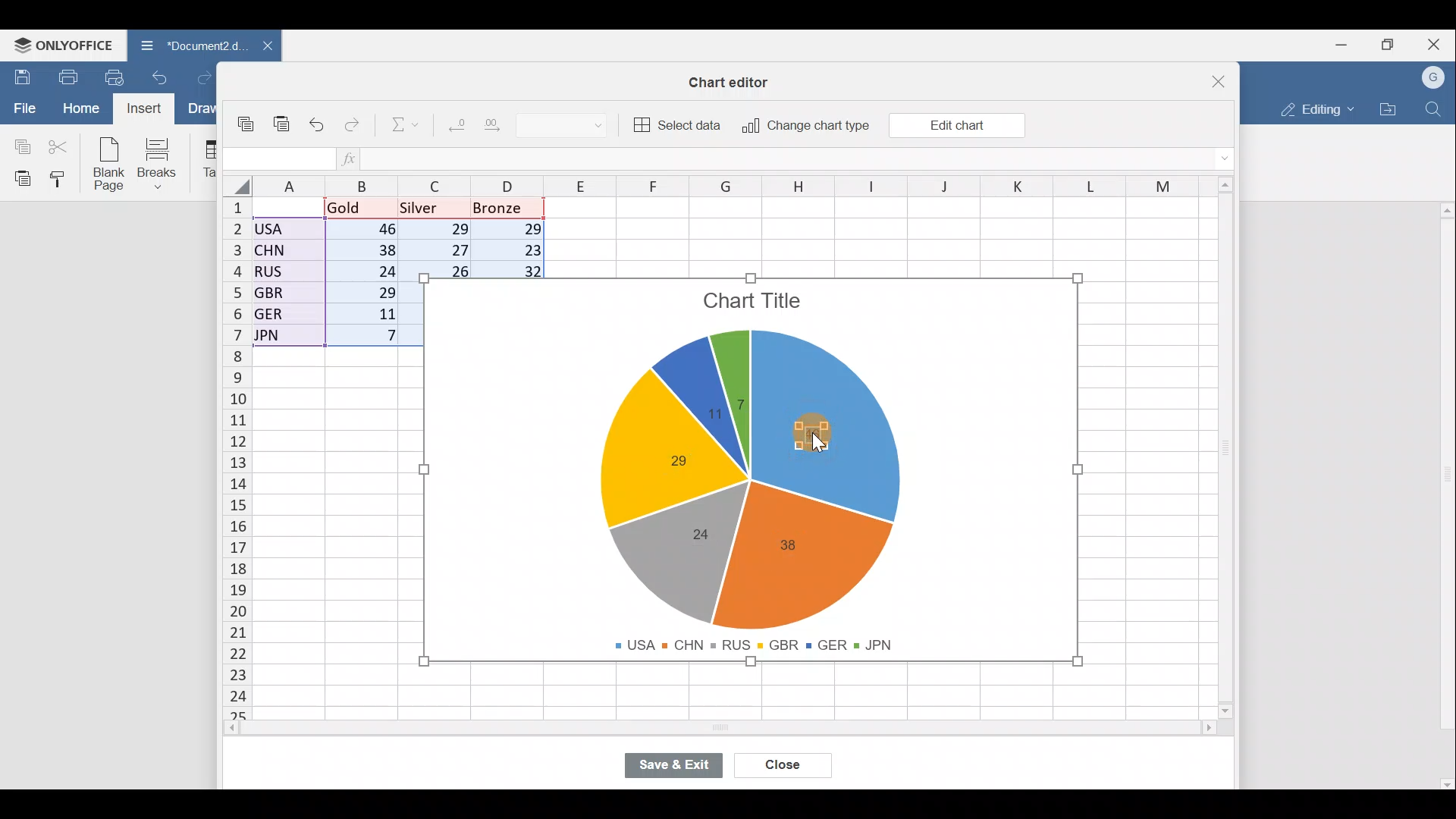 This screenshot has width=1456, height=819. I want to click on Copy style, so click(64, 178).